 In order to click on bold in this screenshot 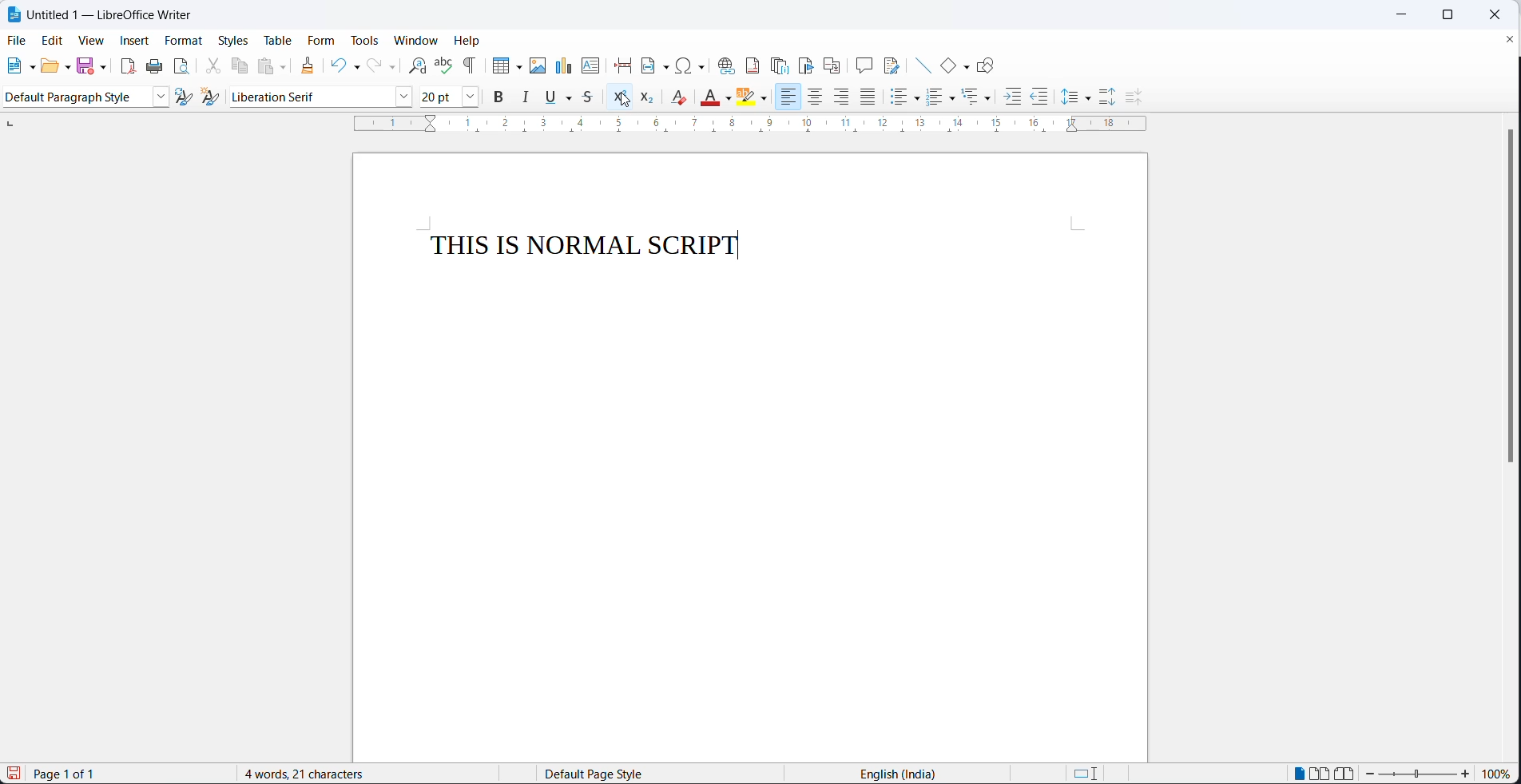, I will do `click(499, 97)`.